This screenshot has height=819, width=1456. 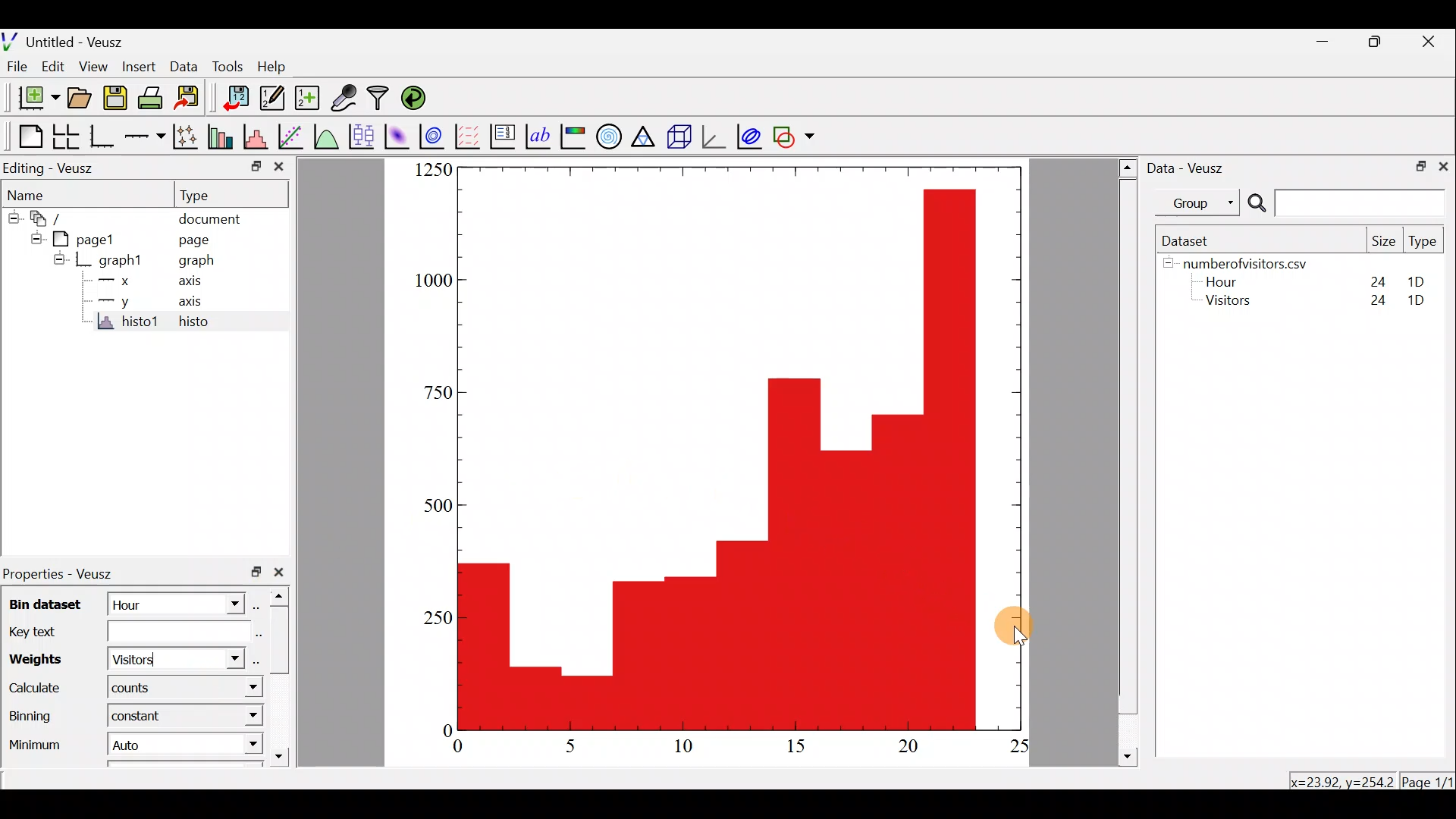 I want to click on Blank page, so click(x=26, y=135).